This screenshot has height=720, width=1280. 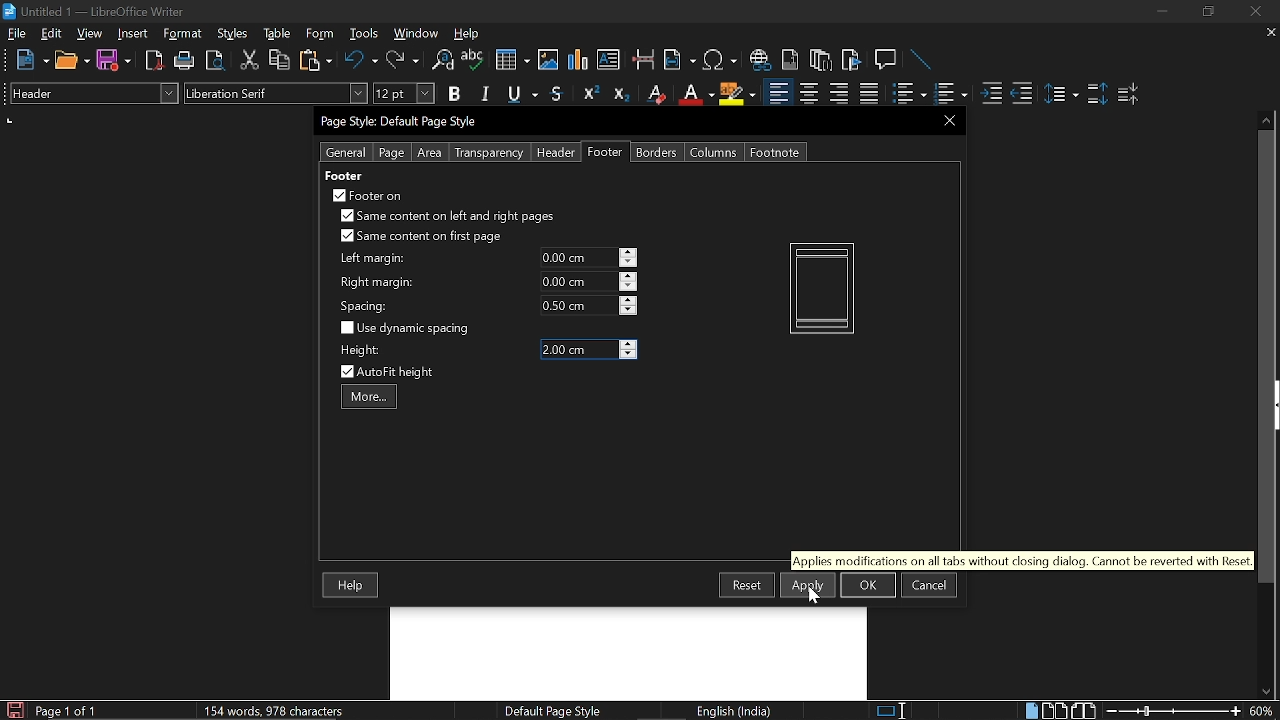 What do you see at coordinates (278, 60) in the screenshot?
I see `Copy` at bounding box center [278, 60].